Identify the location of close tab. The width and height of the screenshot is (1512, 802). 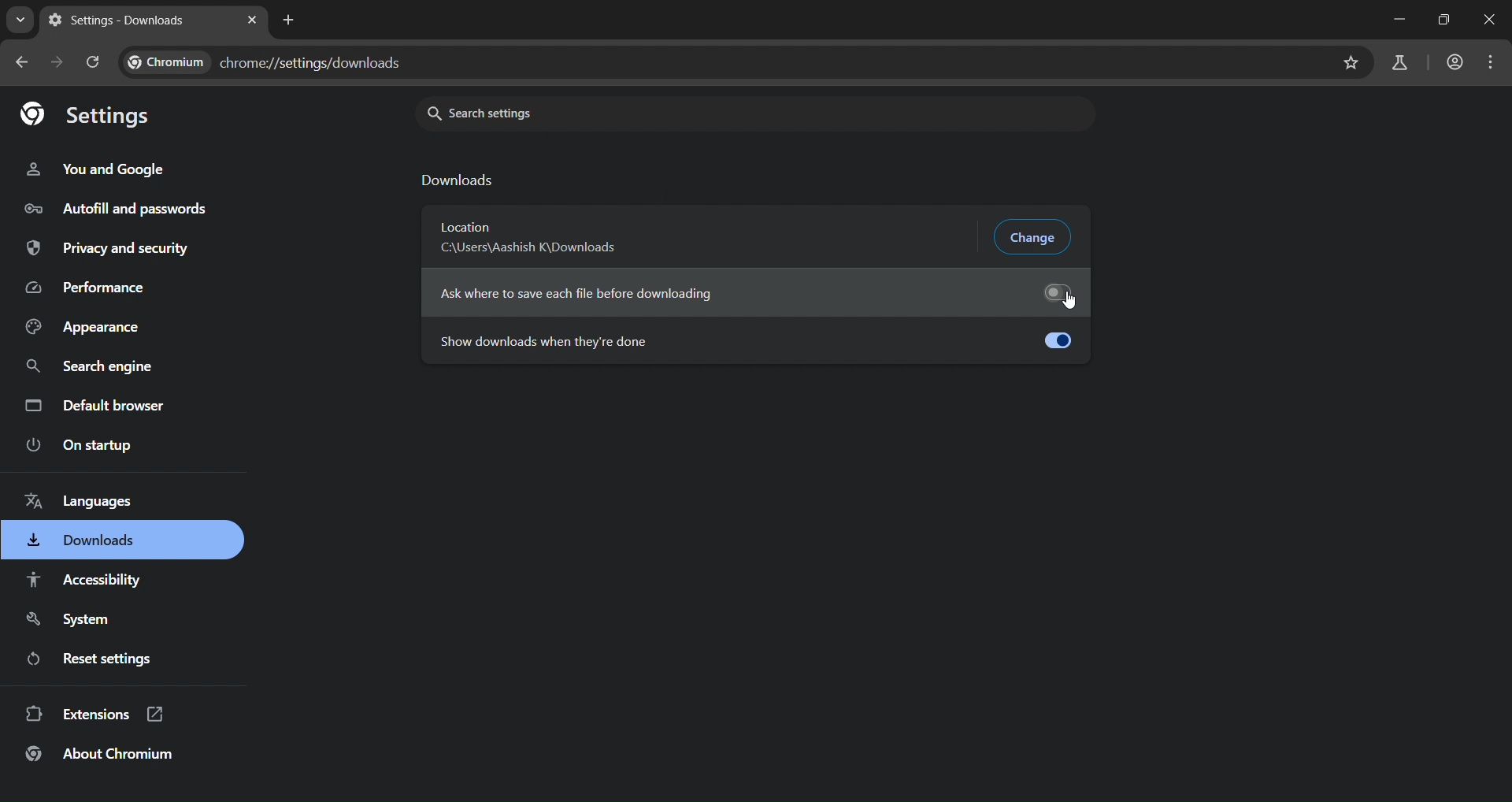
(252, 20).